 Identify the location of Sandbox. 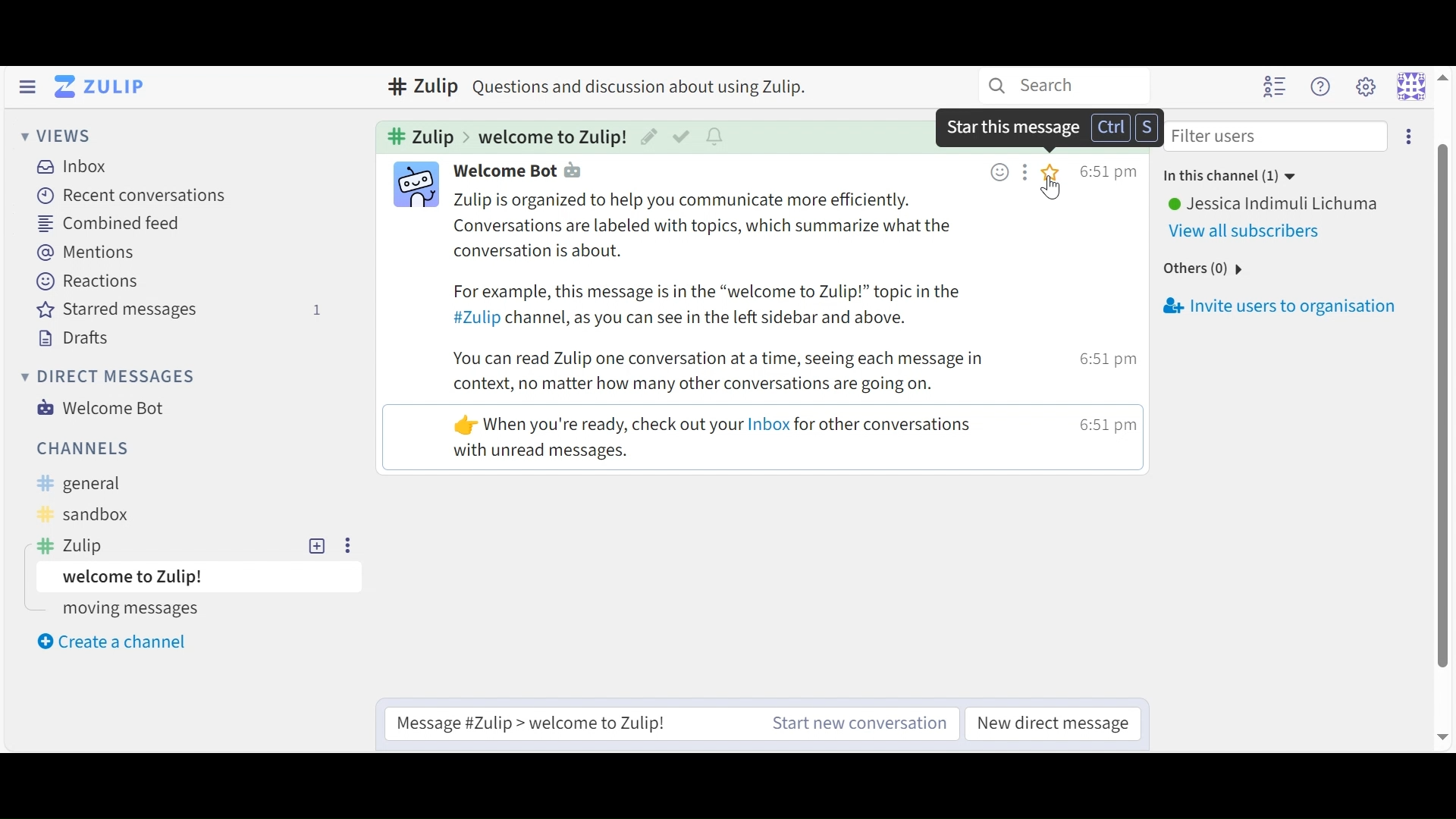
(89, 515).